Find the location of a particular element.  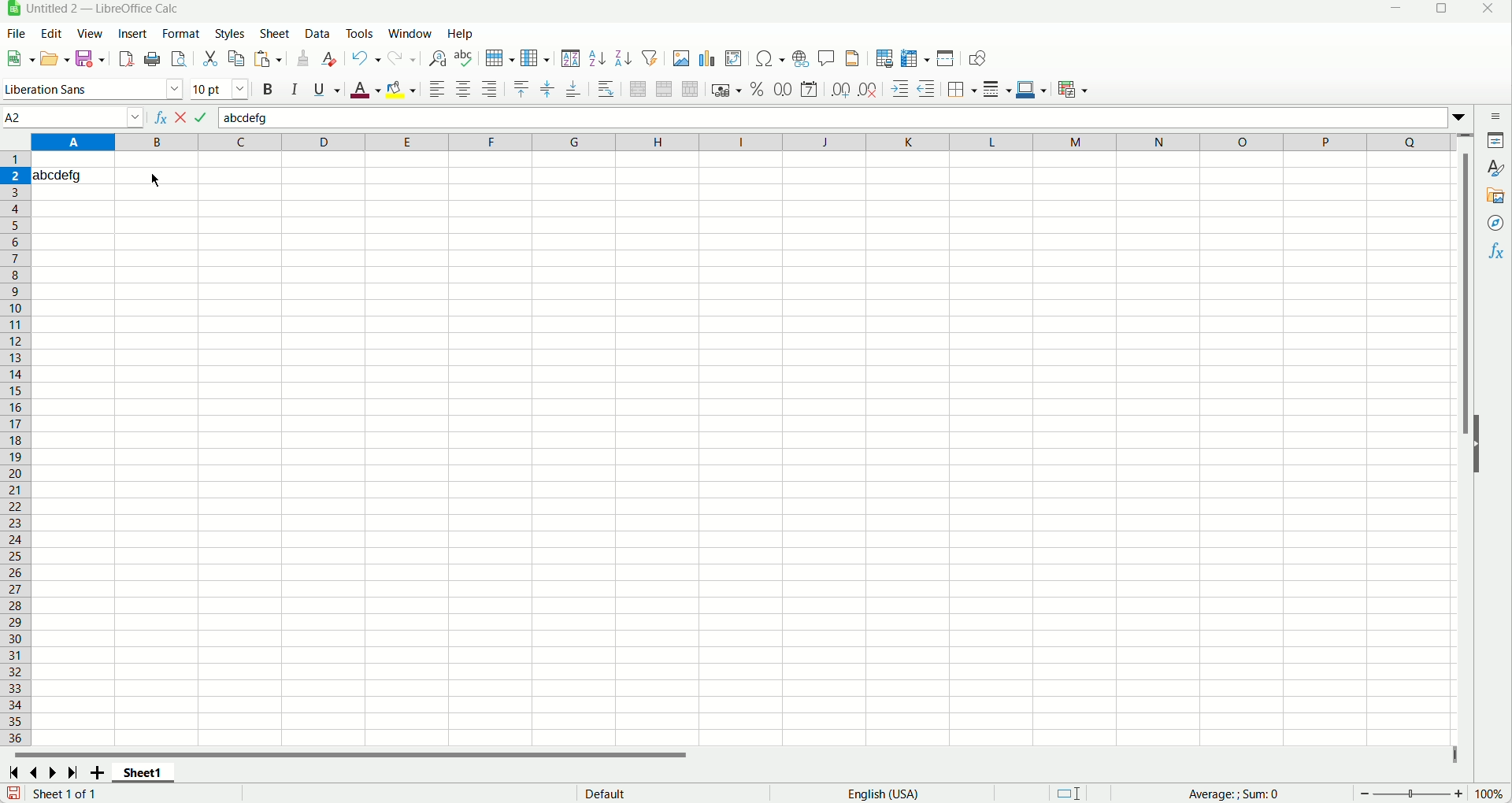

scroll to previous page is located at coordinates (35, 772).